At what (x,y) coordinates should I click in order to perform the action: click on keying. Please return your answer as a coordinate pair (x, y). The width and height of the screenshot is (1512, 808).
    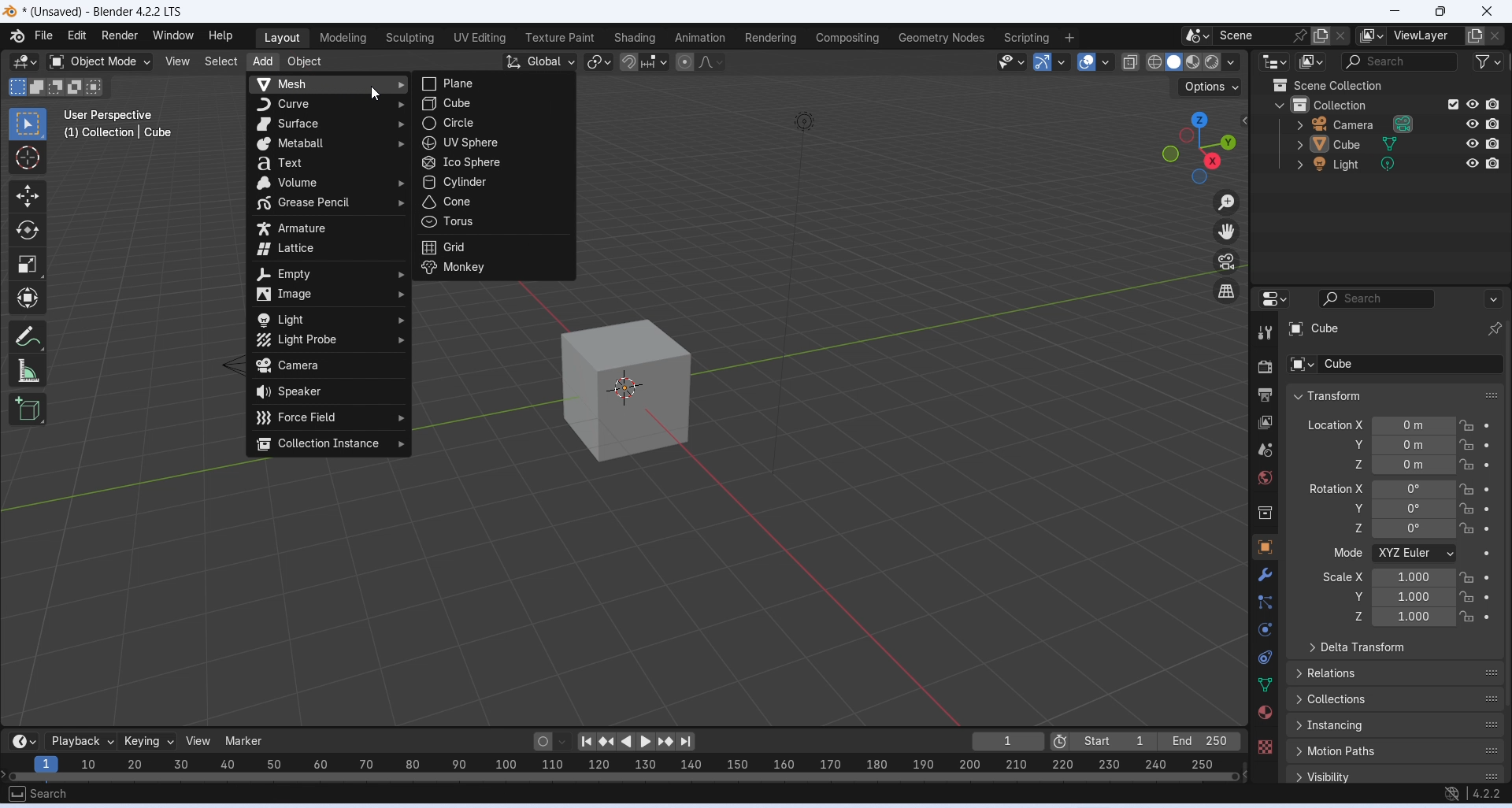
    Looking at the image, I should click on (150, 742).